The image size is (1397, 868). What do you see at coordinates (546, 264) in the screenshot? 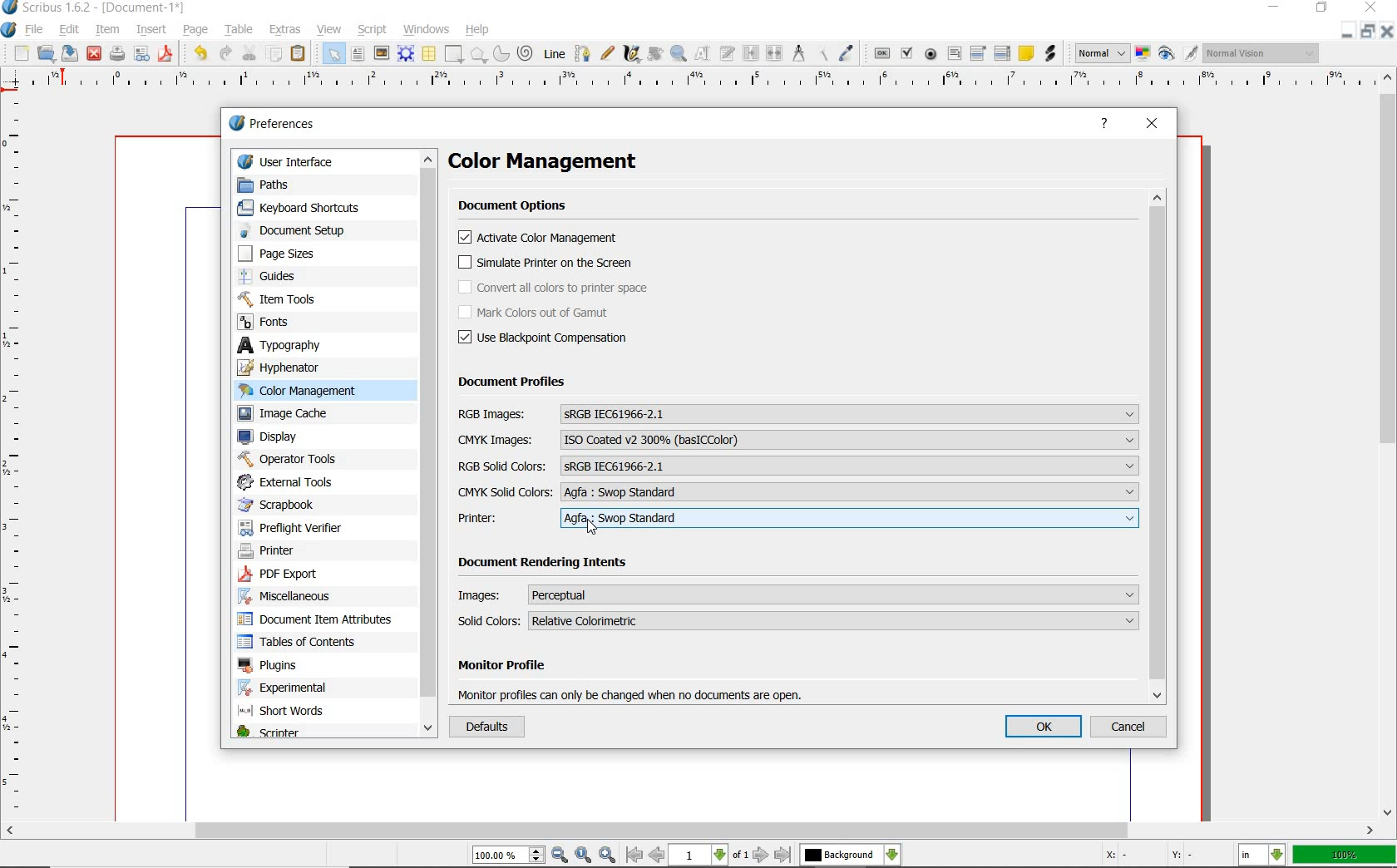
I see `simulate printer on the screen` at bounding box center [546, 264].